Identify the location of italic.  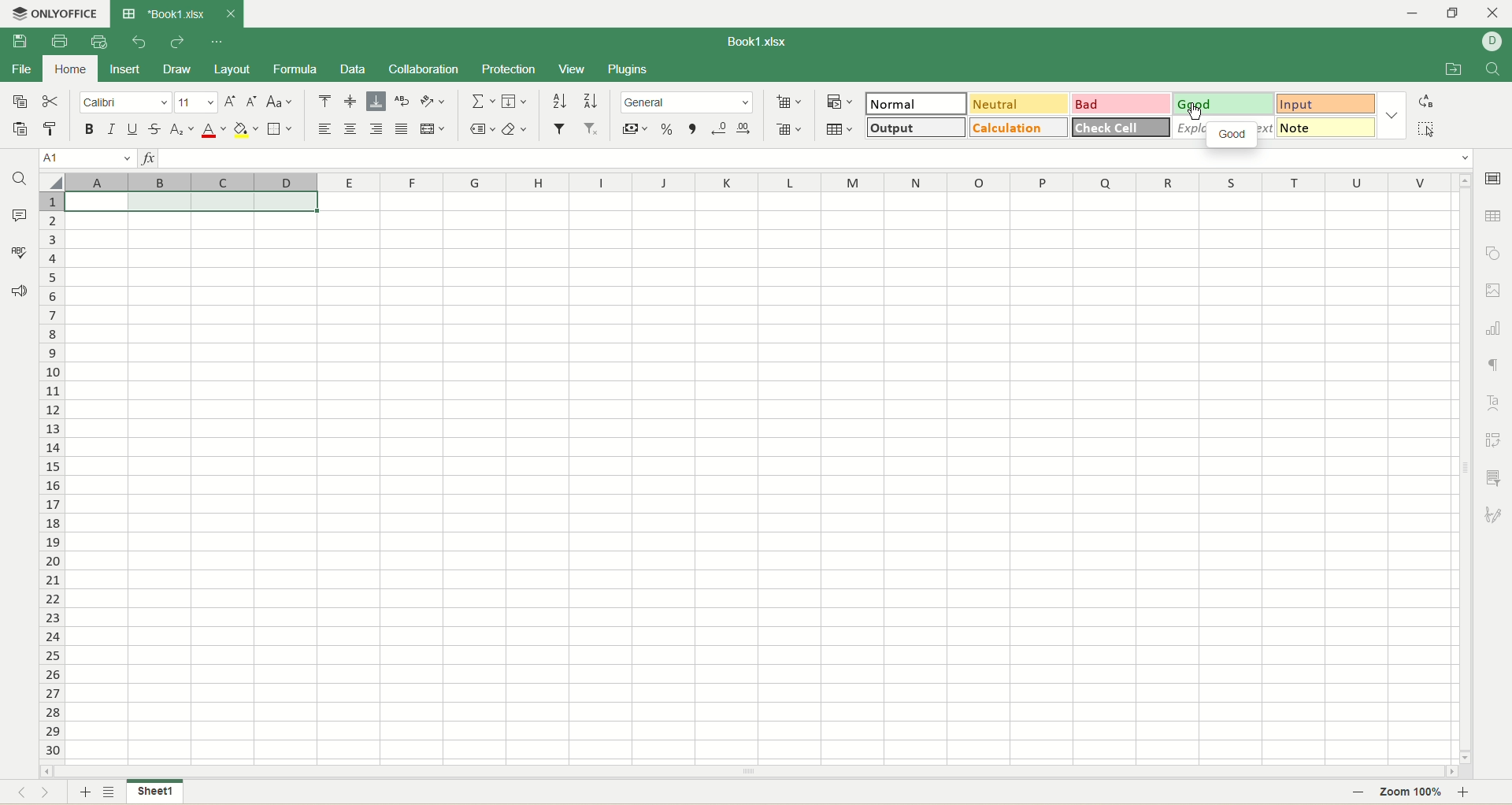
(113, 128).